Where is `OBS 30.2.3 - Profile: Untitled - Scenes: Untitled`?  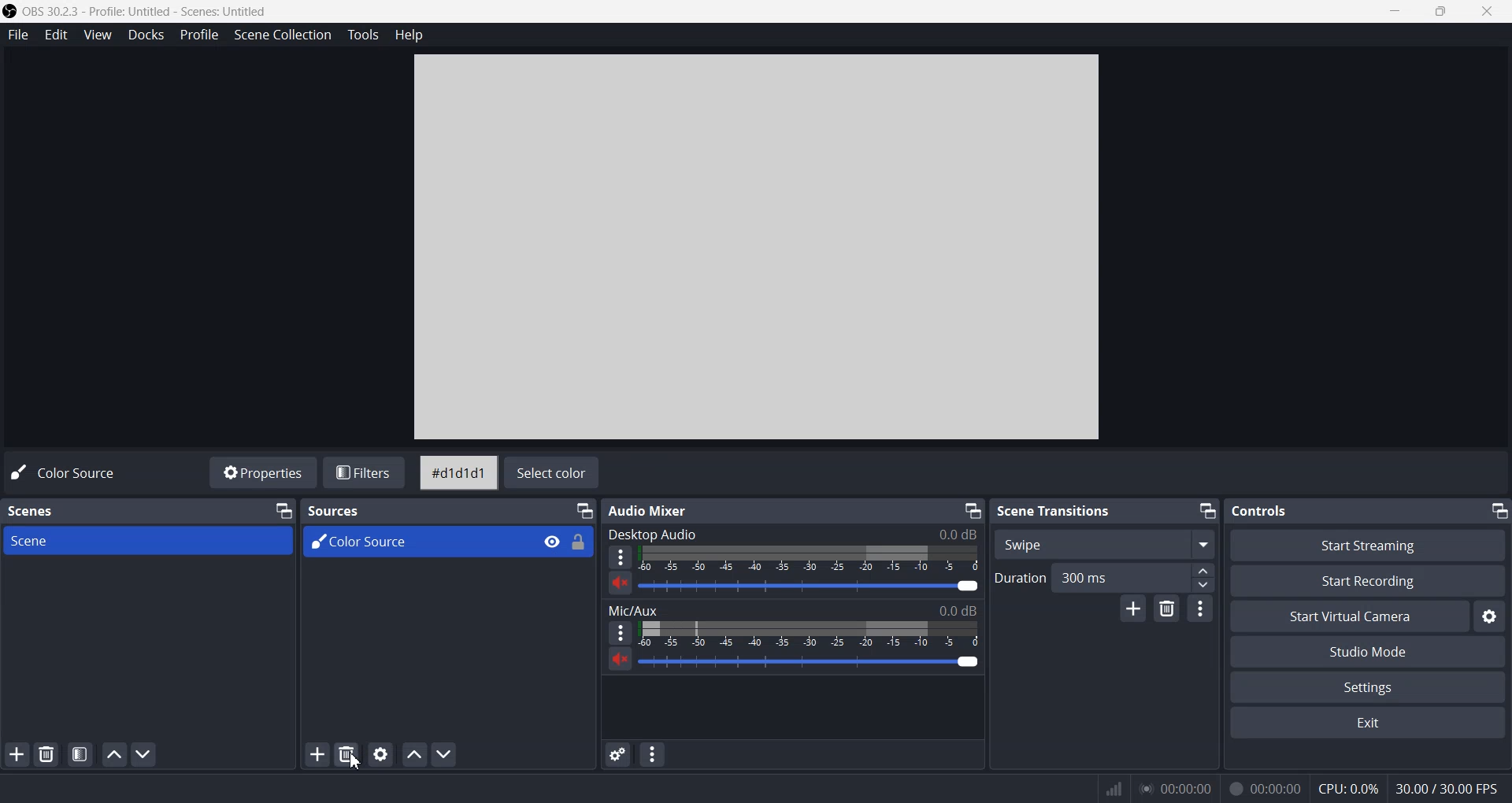
OBS 30.2.3 - Profile: Untitled - Scenes: Untitled is located at coordinates (139, 10).